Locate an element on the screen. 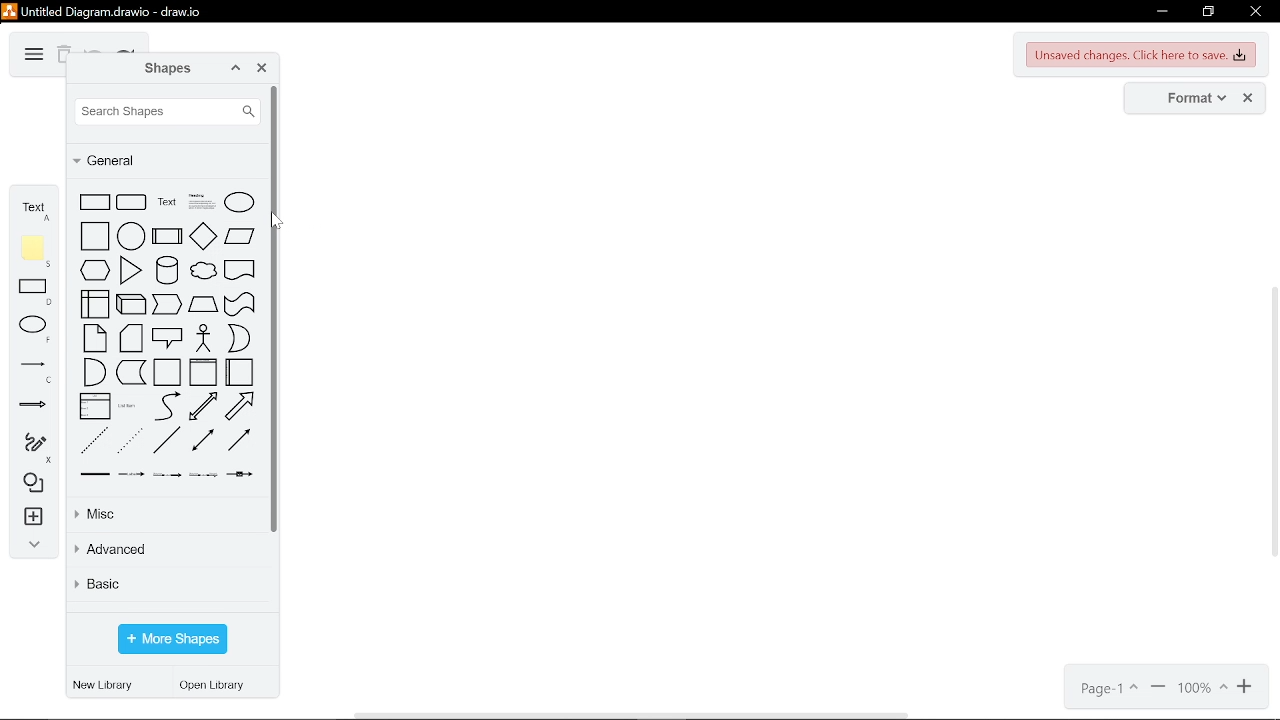 The image size is (1280, 720). mouse down is located at coordinates (279, 221).